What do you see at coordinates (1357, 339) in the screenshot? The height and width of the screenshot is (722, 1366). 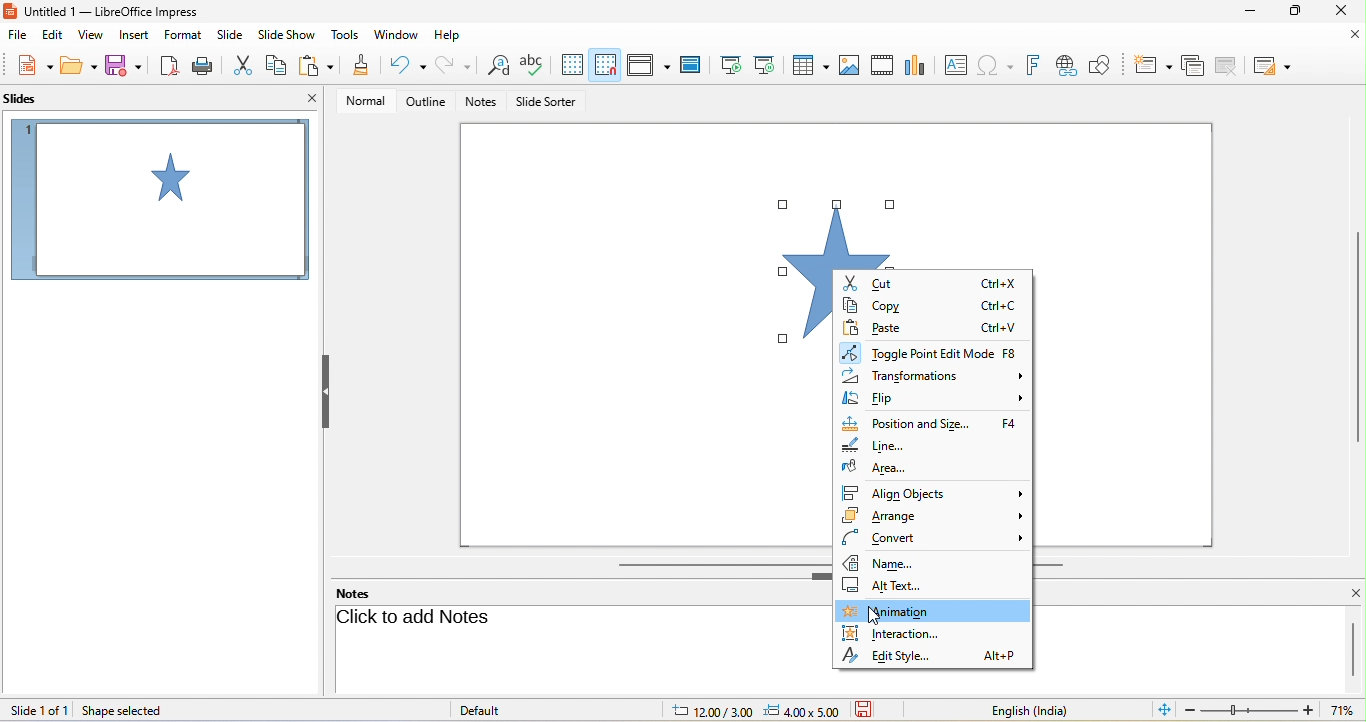 I see `vertical scroll bar` at bounding box center [1357, 339].